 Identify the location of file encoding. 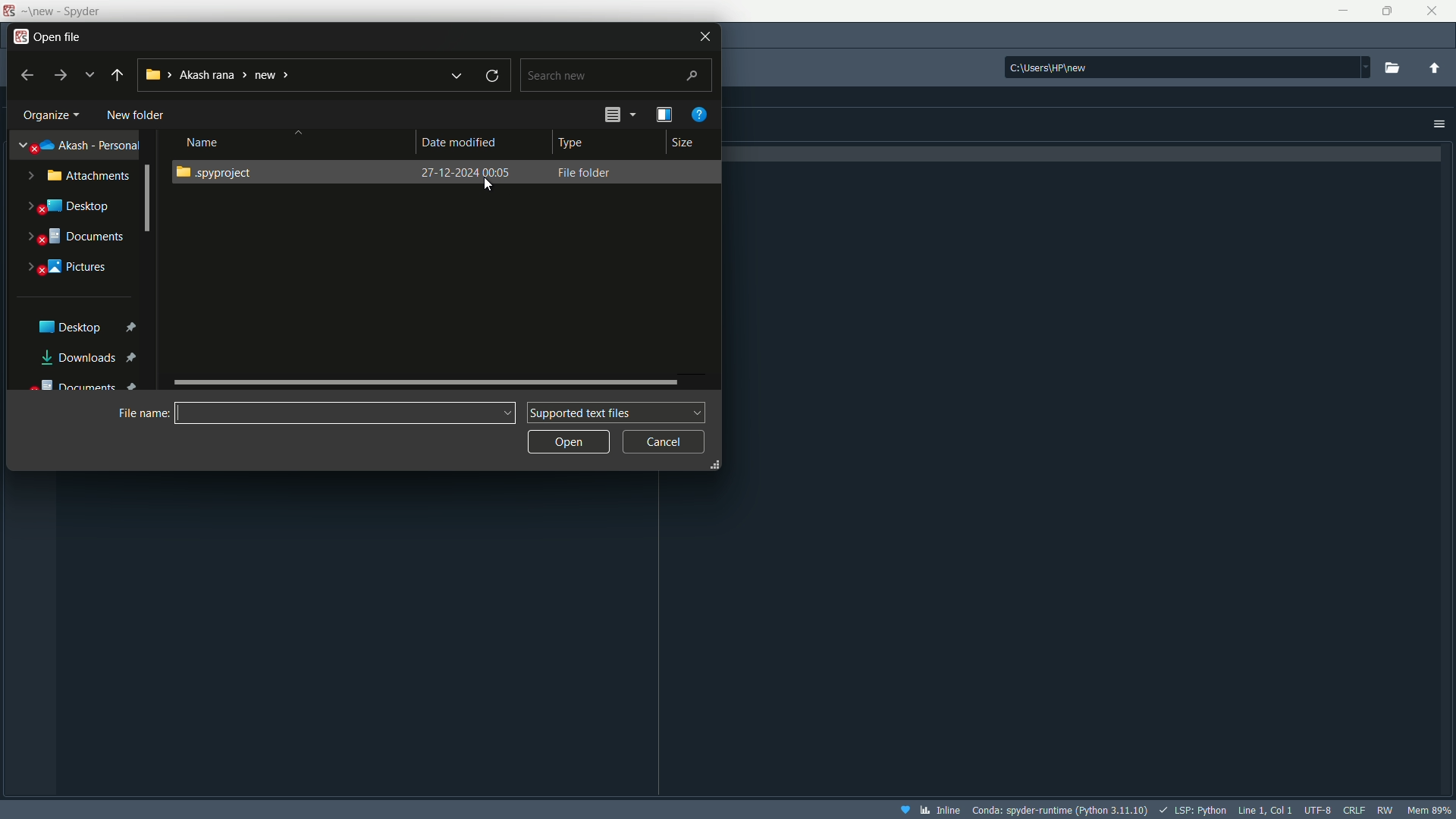
(1318, 810).